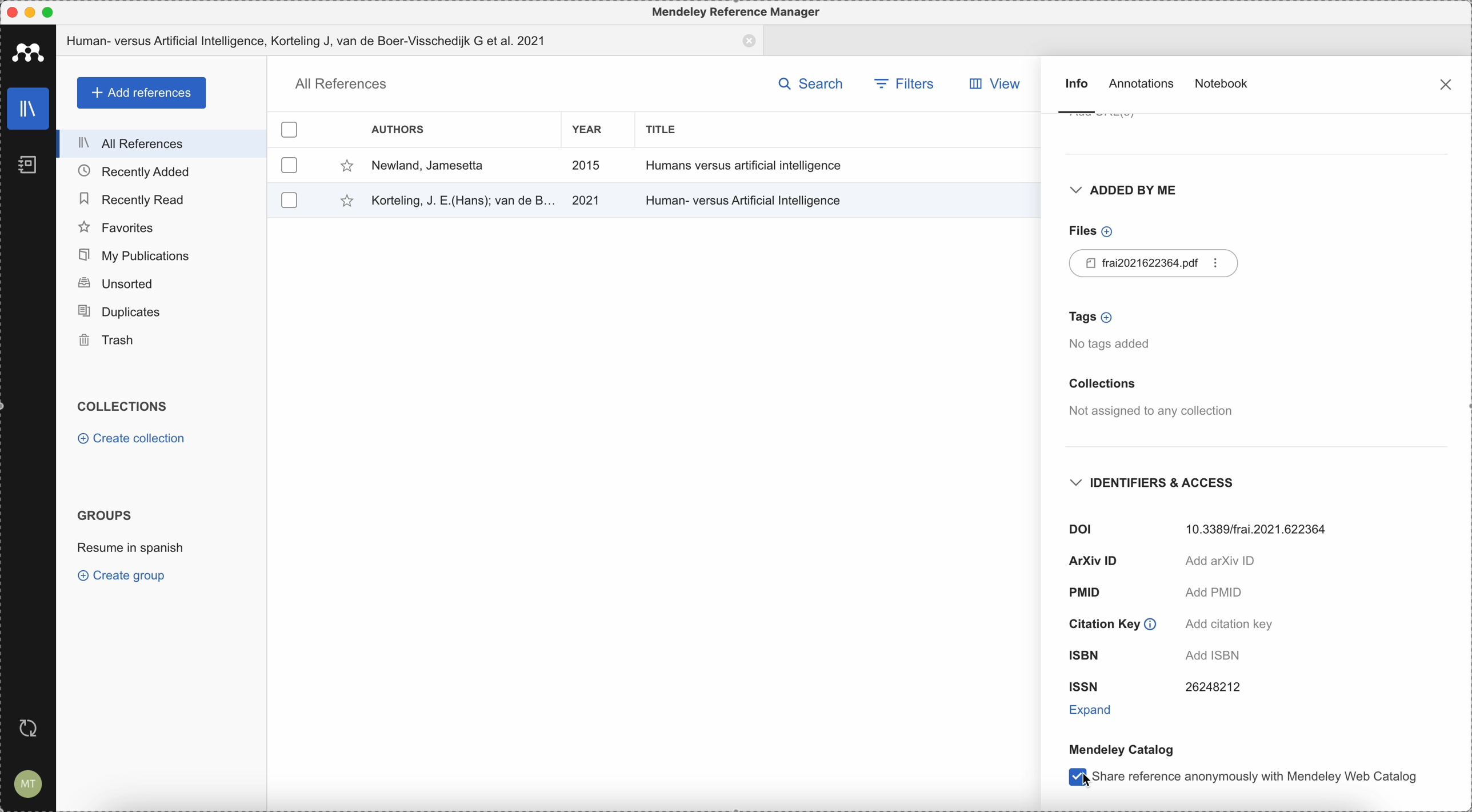  I want to click on all references, so click(165, 143).